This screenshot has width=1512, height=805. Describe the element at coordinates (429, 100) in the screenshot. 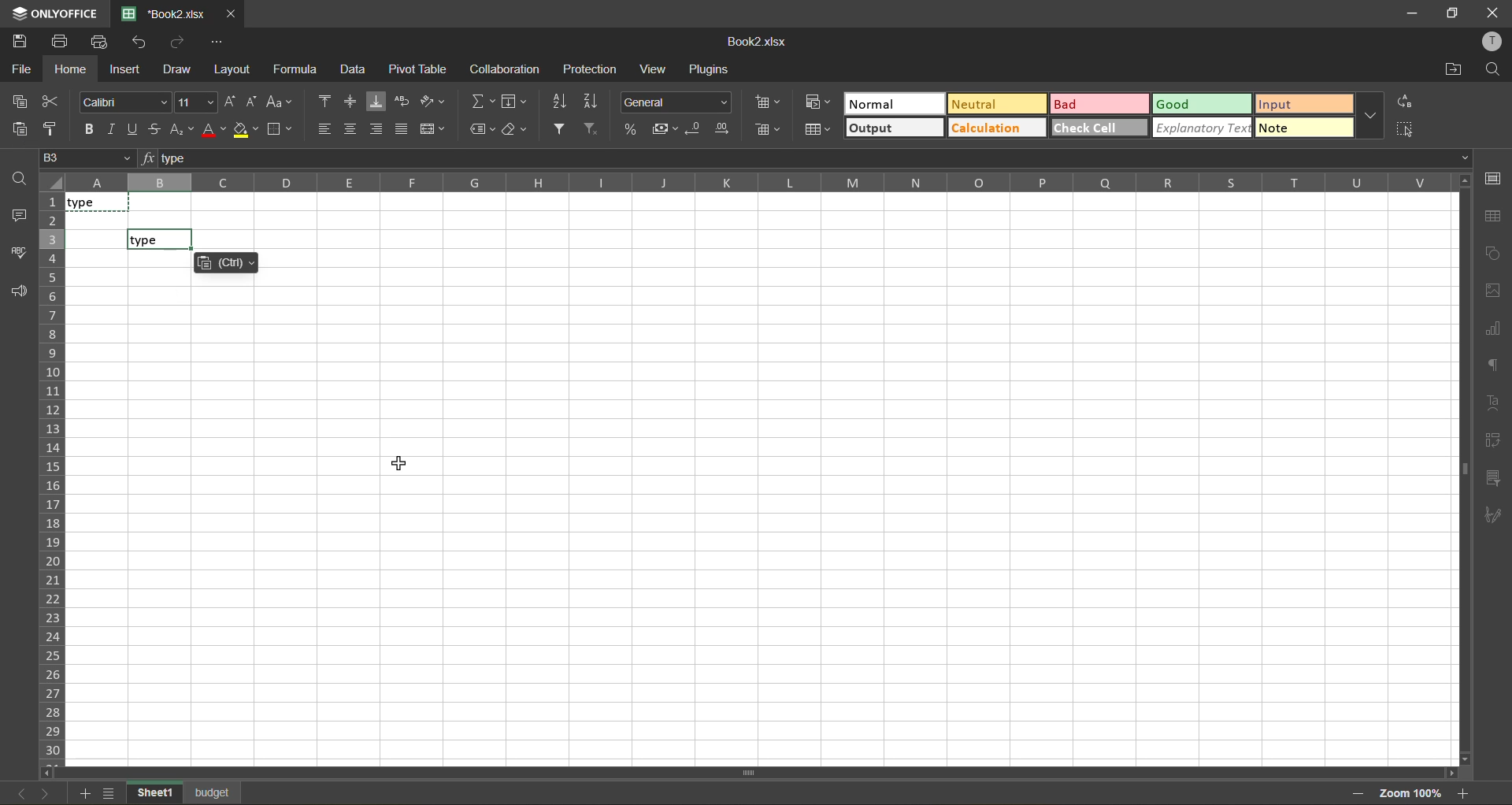

I see `orientation` at that location.